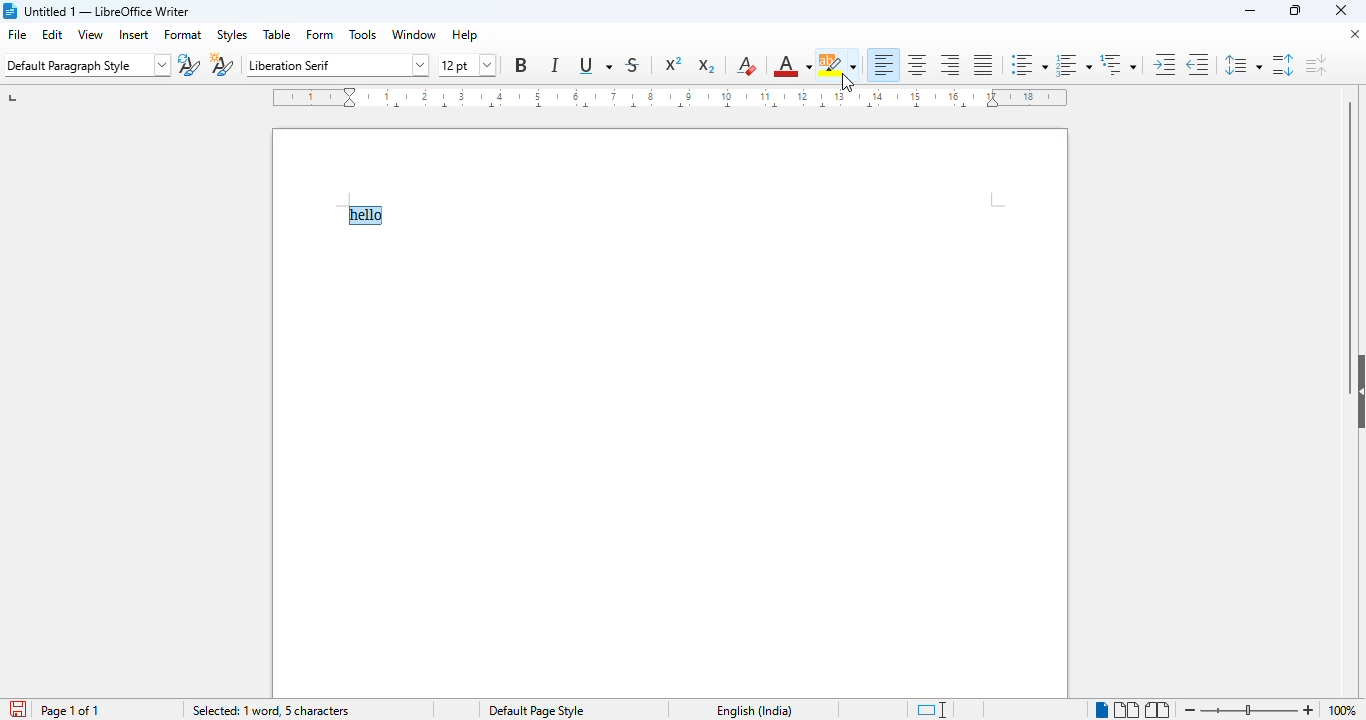 This screenshot has height=720, width=1366. Describe the element at coordinates (270, 710) in the screenshot. I see `selected: 1 word, 5 characters` at that location.